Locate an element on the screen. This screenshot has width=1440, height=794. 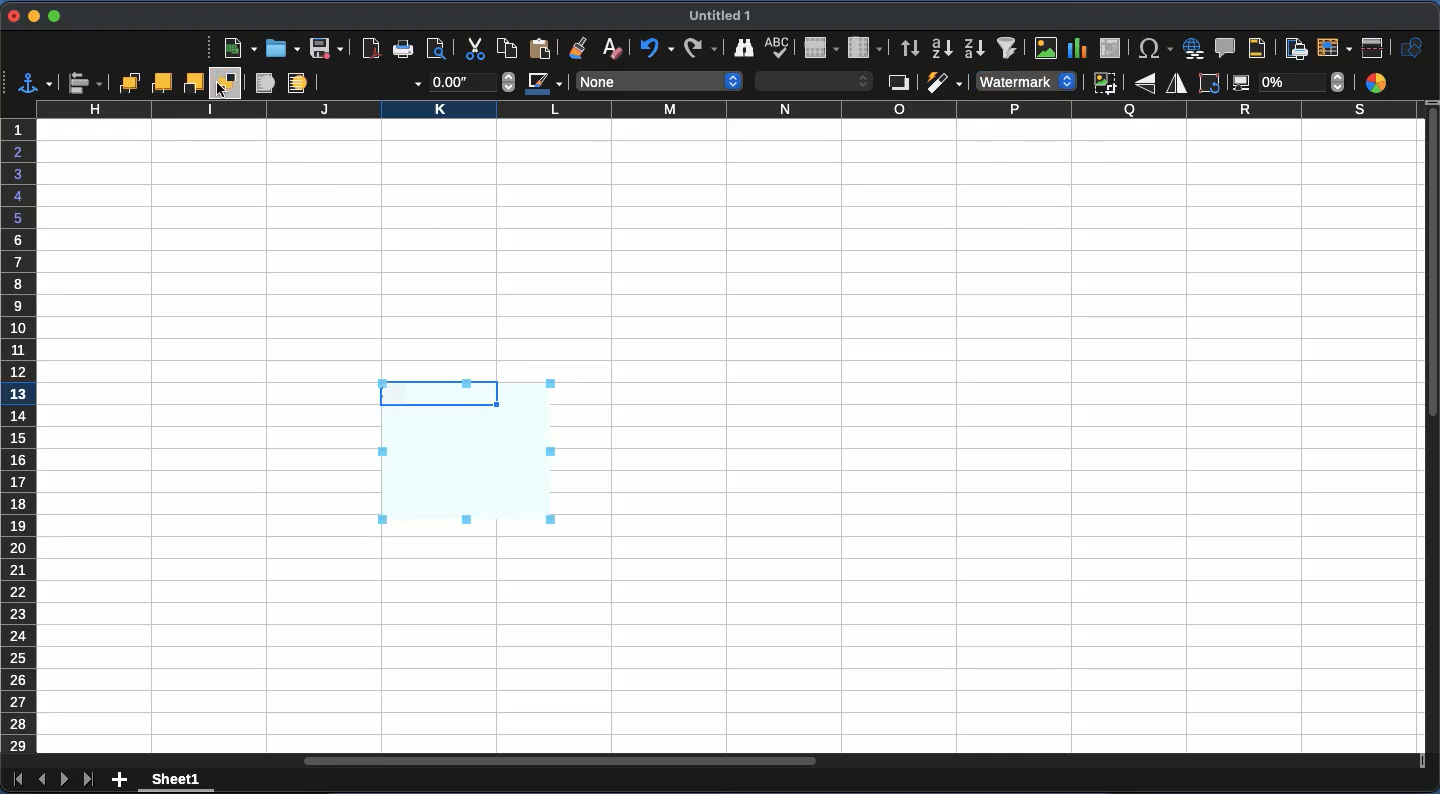
add is located at coordinates (122, 777).